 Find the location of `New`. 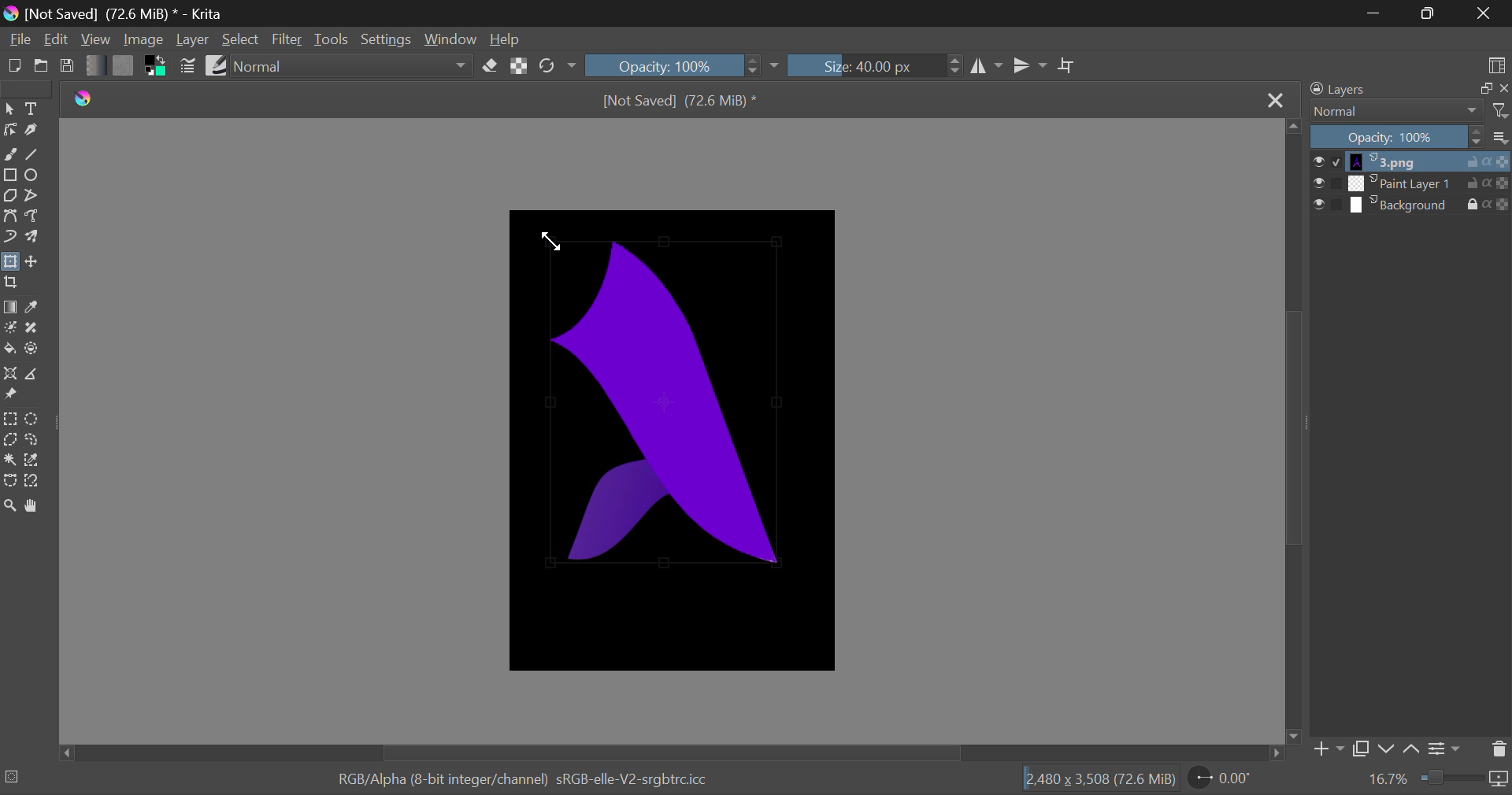

New is located at coordinates (14, 66).